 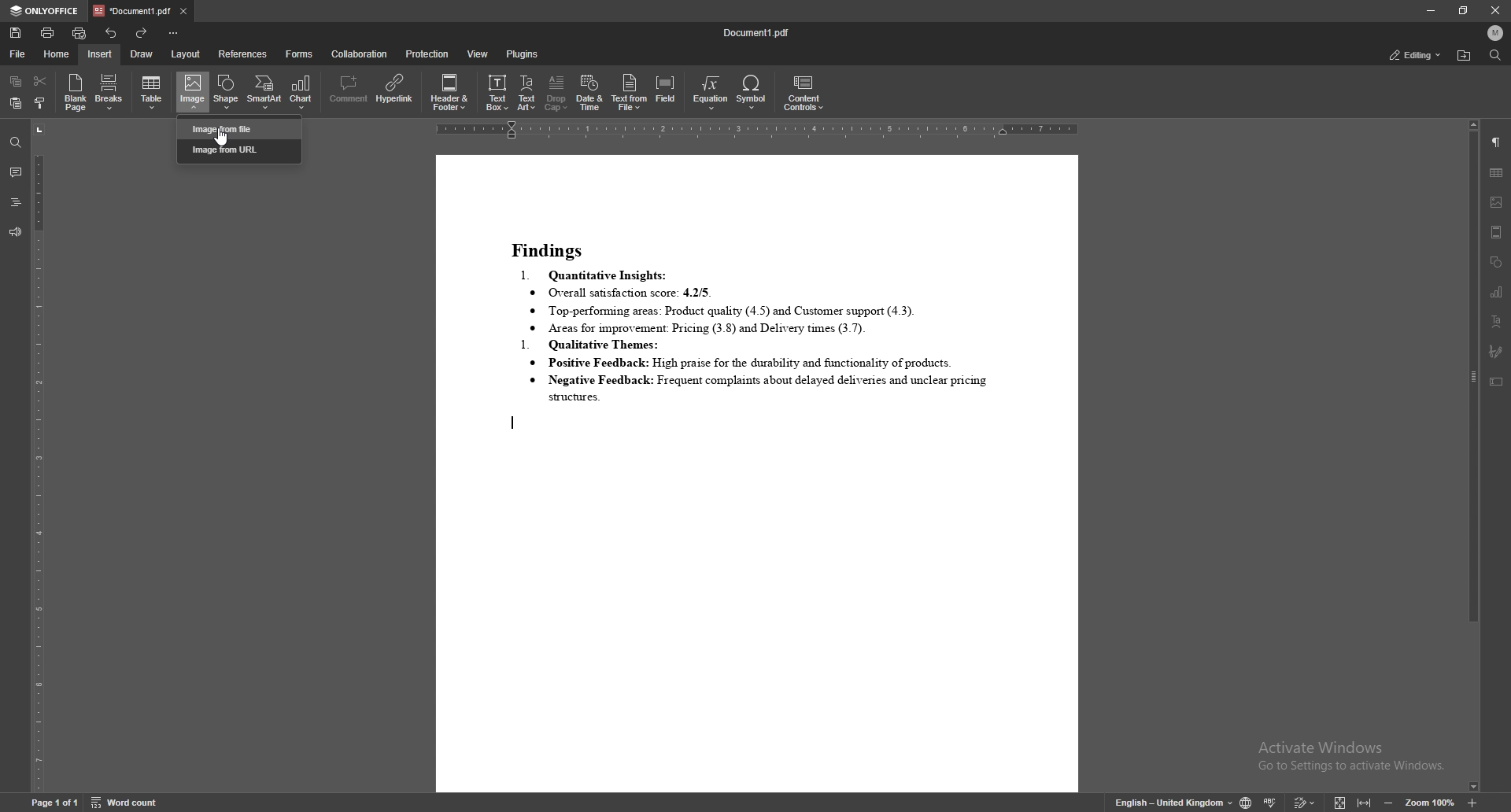 I want to click on page, so click(x=54, y=801).